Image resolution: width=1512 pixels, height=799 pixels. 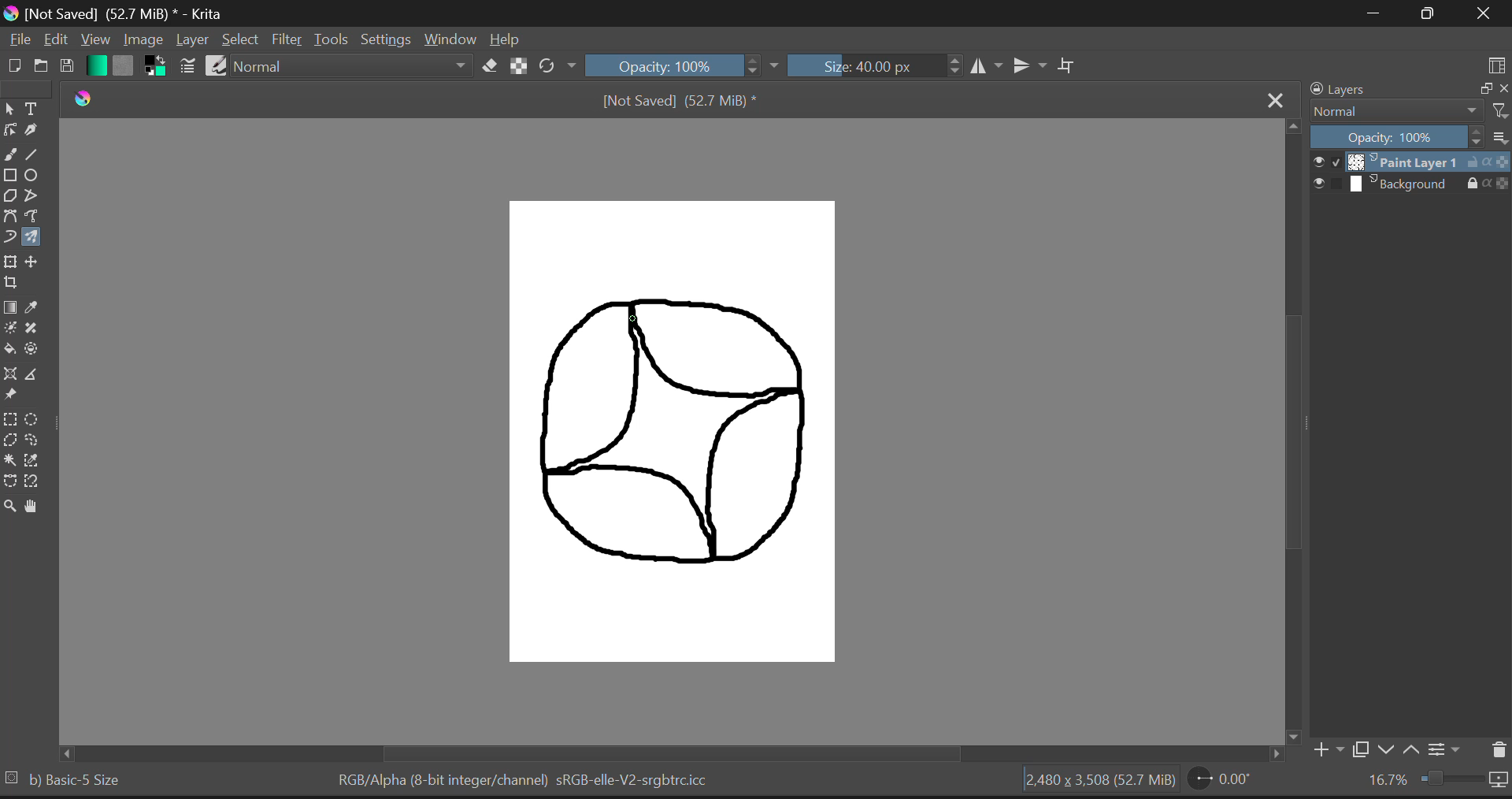 I want to click on Open, so click(x=39, y=67).